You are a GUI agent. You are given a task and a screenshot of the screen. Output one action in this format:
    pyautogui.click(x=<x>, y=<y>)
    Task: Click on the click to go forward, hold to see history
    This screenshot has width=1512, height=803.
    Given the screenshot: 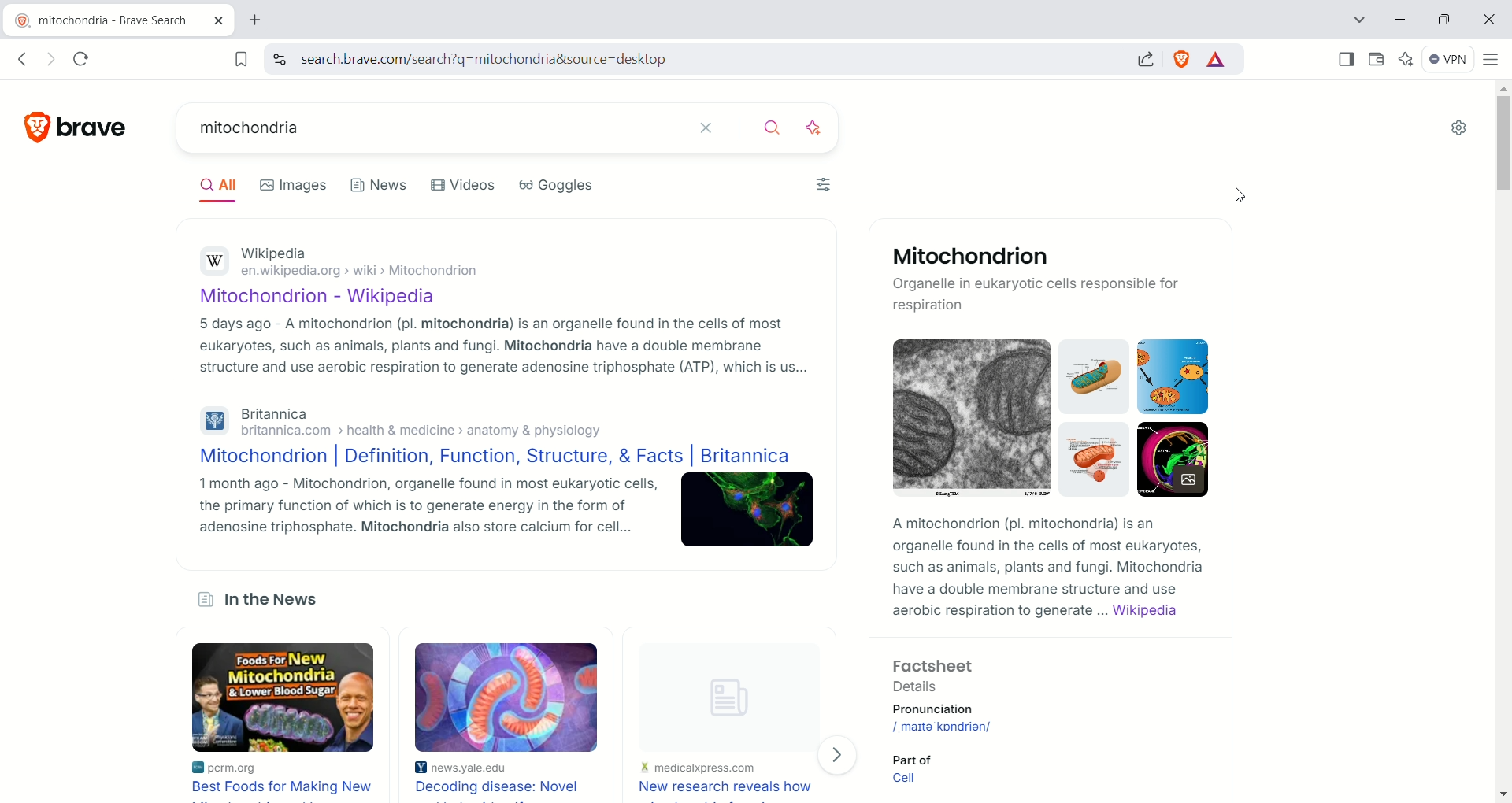 What is the action you would take?
    pyautogui.click(x=50, y=58)
    